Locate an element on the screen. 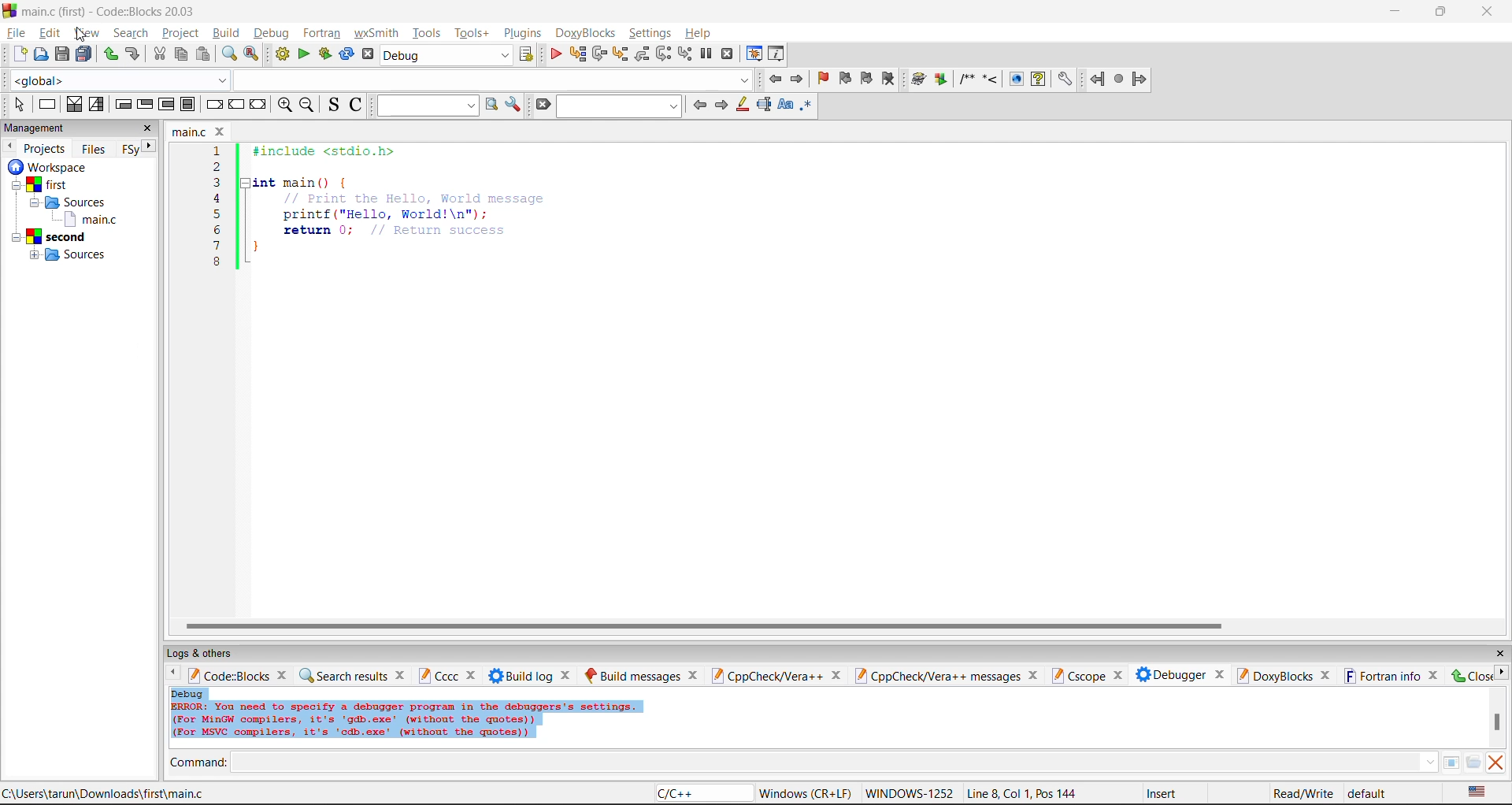  horizontal scroll bar is located at coordinates (702, 626).